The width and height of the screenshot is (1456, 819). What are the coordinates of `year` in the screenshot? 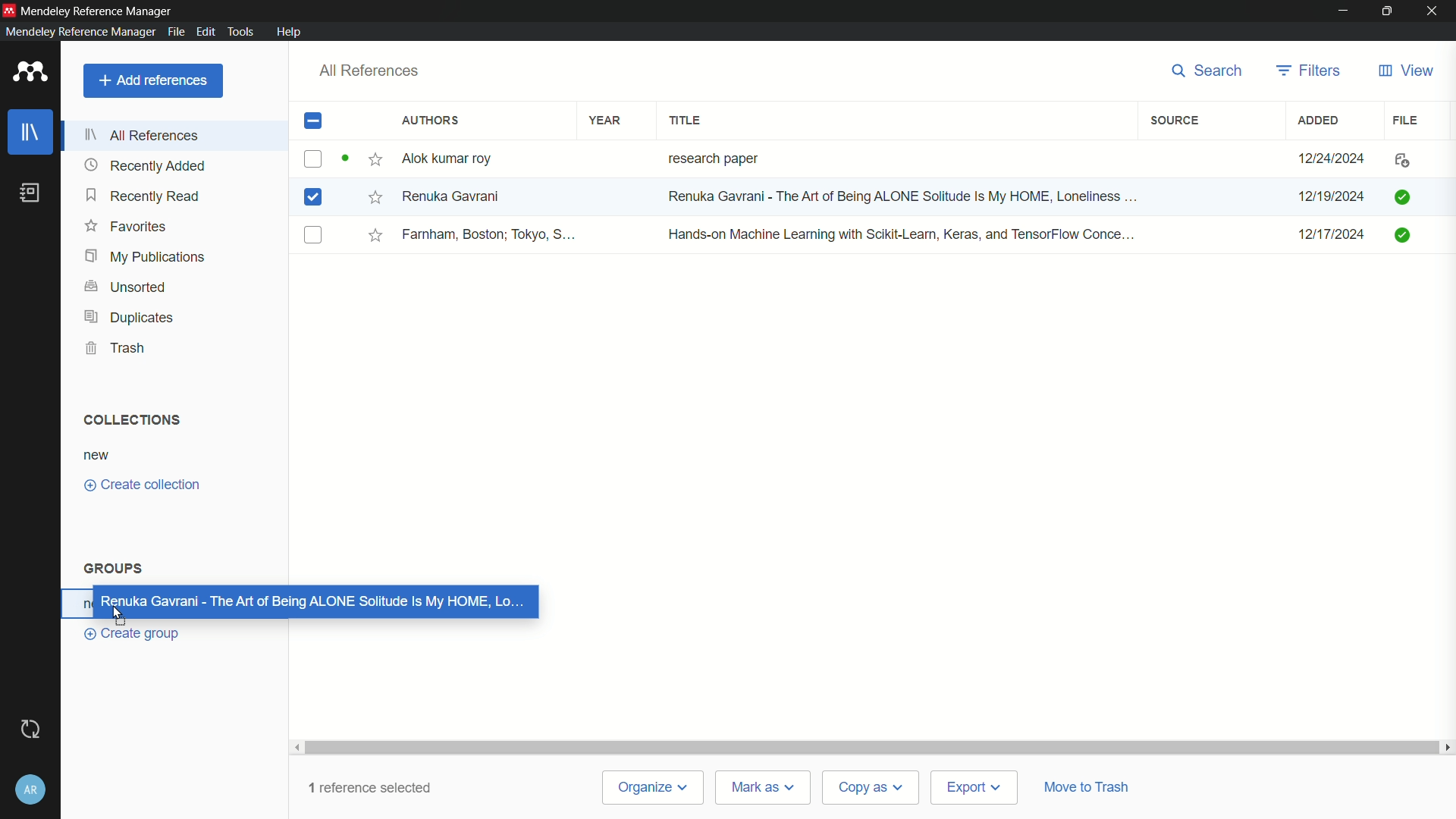 It's located at (605, 120).